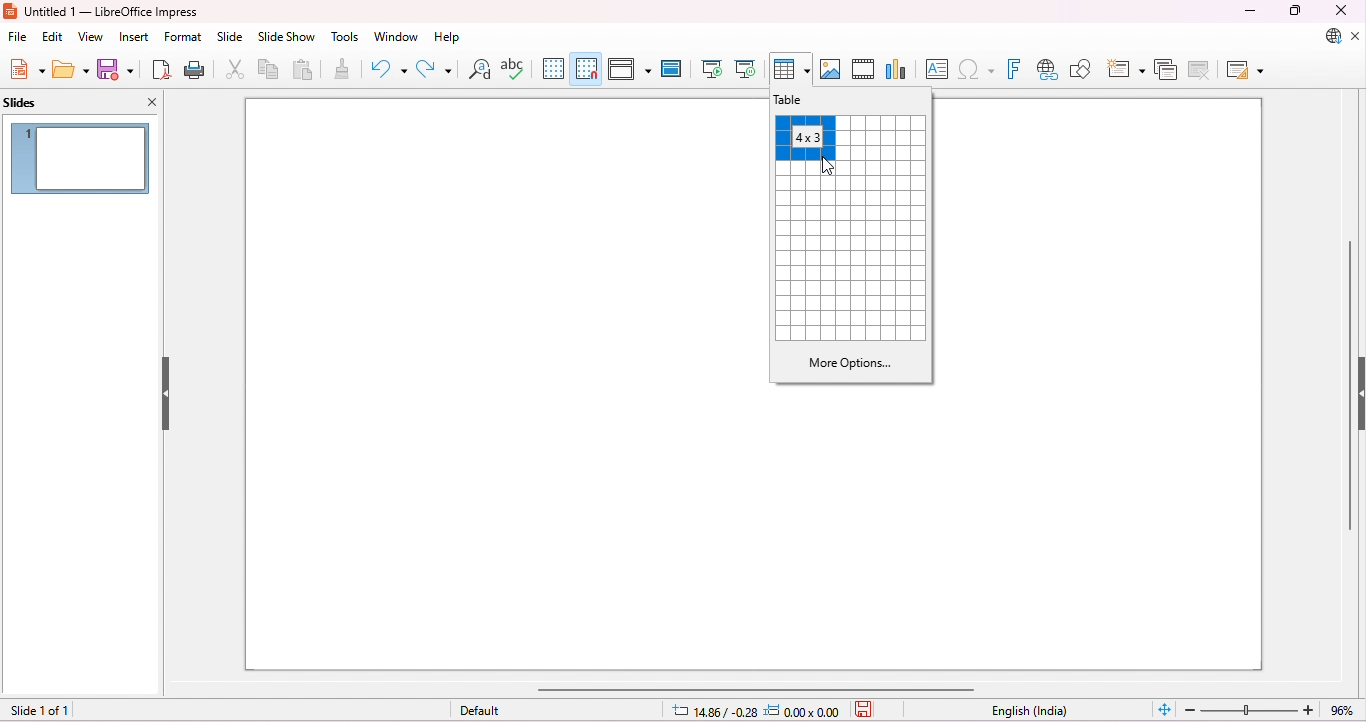 The width and height of the screenshot is (1366, 722). What do you see at coordinates (755, 689) in the screenshot?
I see `horizontal scroll bar` at bounding box center [755, 689].